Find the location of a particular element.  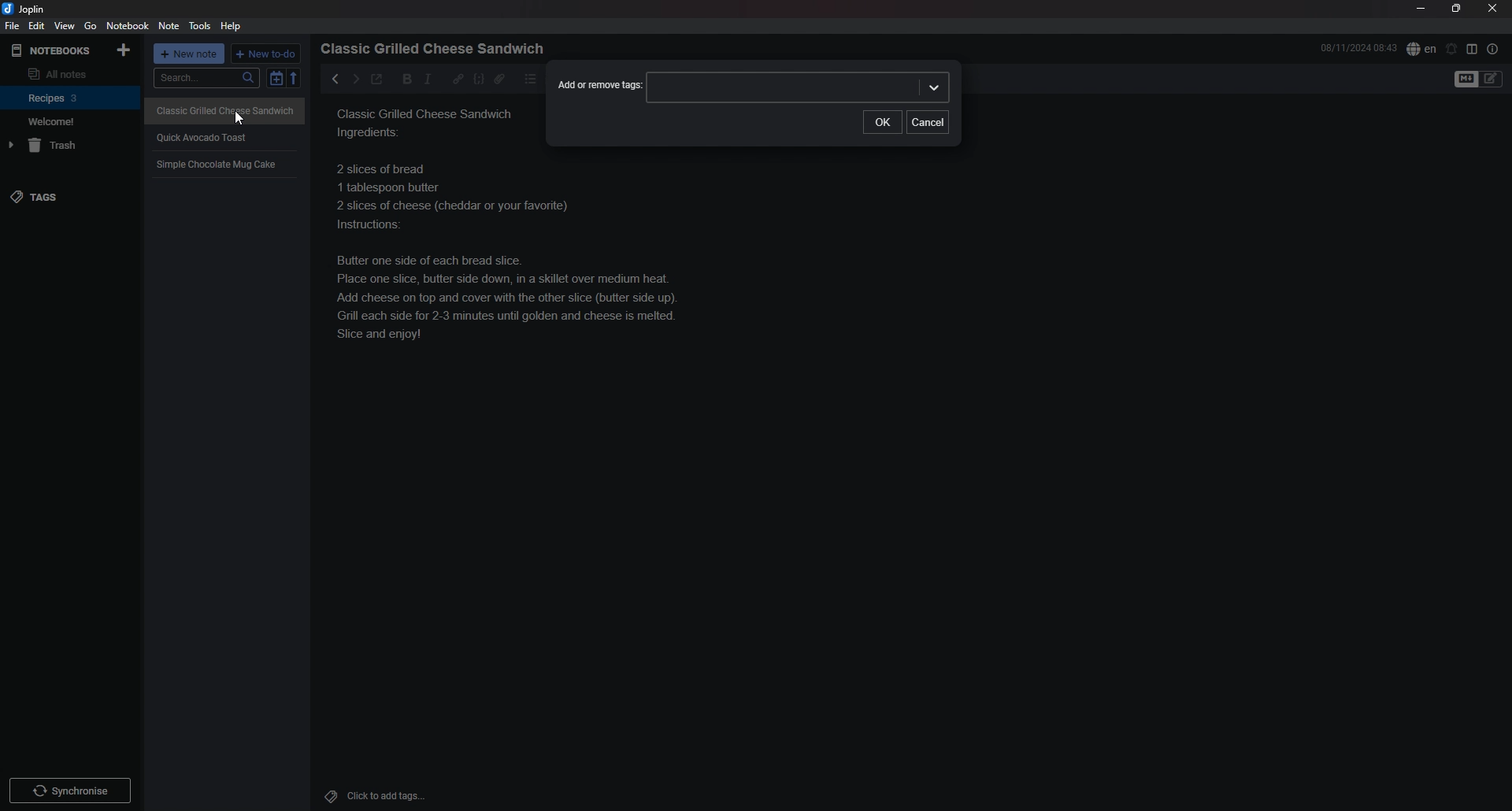

edit is located at coordinates (35, 26).